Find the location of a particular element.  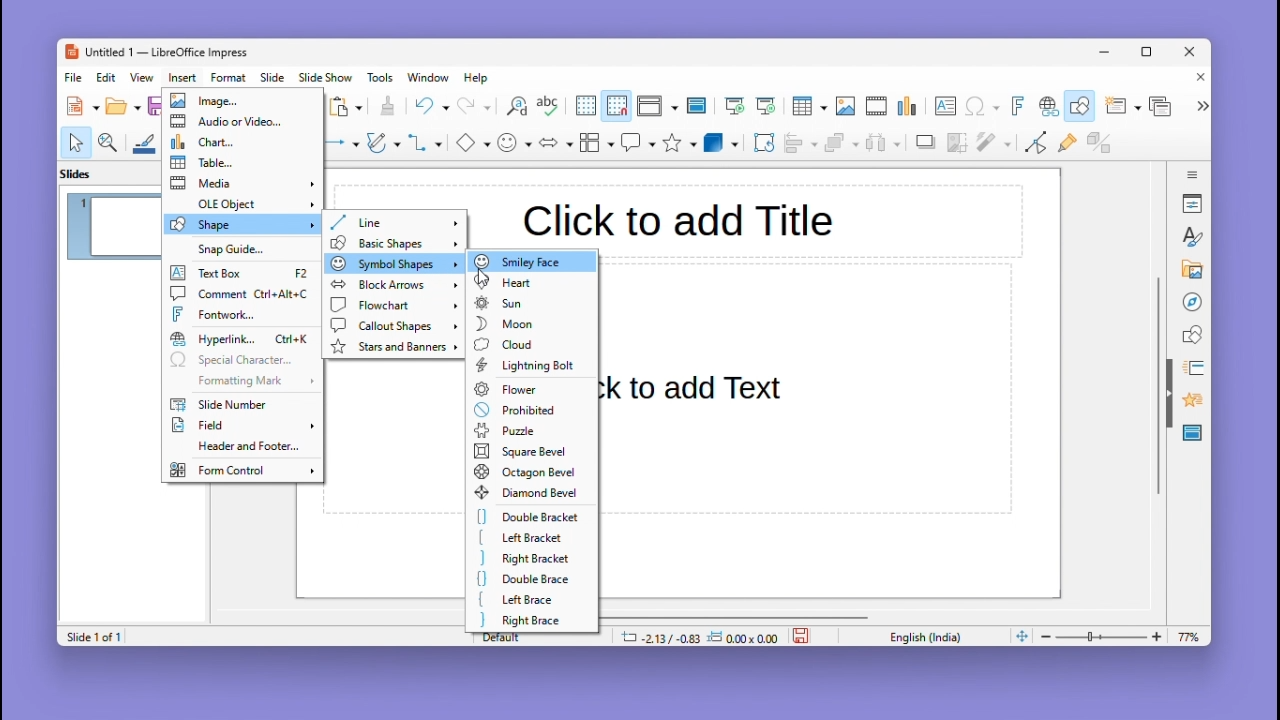

new is located at coordinates (84, 106).